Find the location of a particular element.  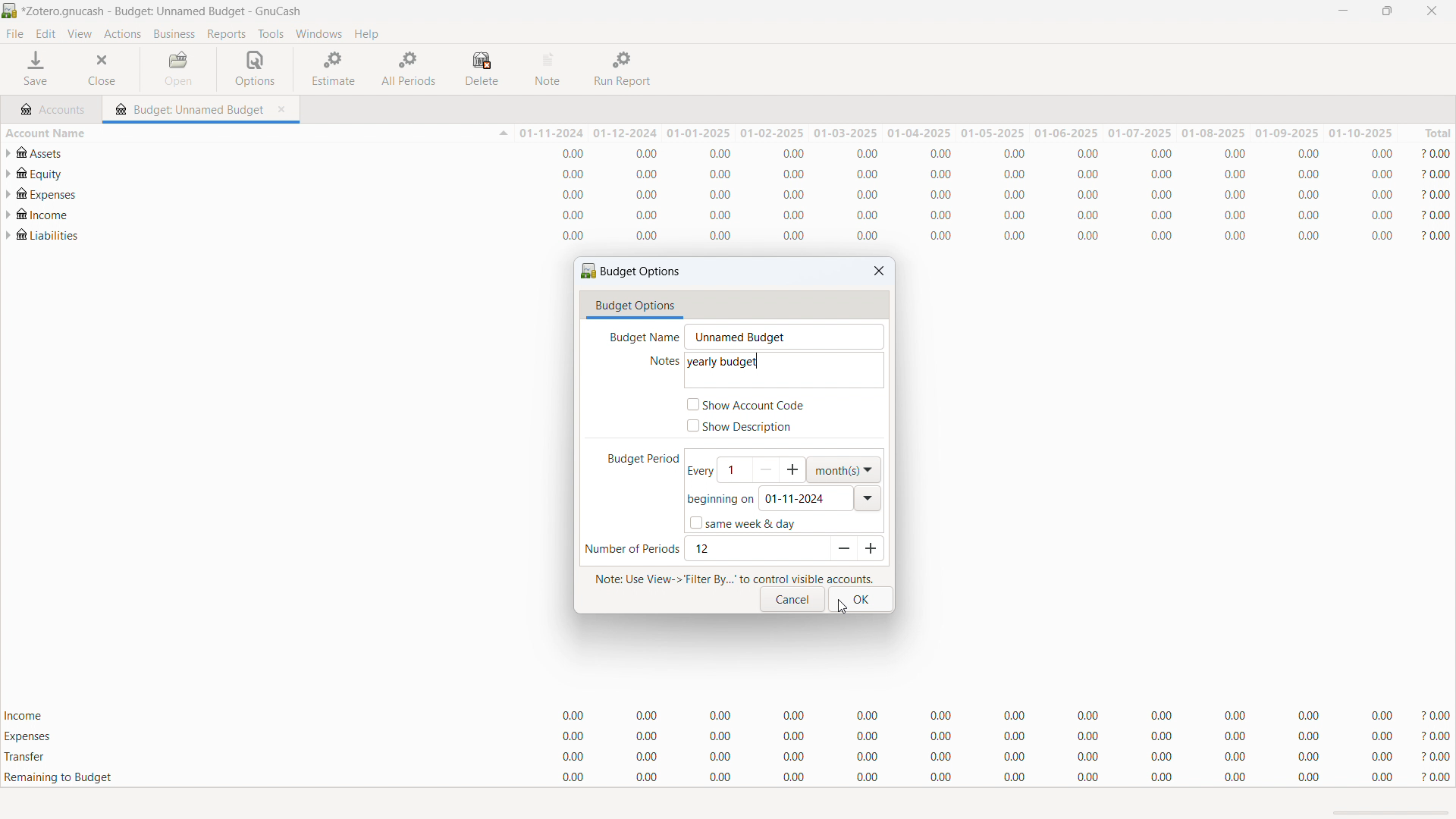

business is located at coordinates (174, 34).